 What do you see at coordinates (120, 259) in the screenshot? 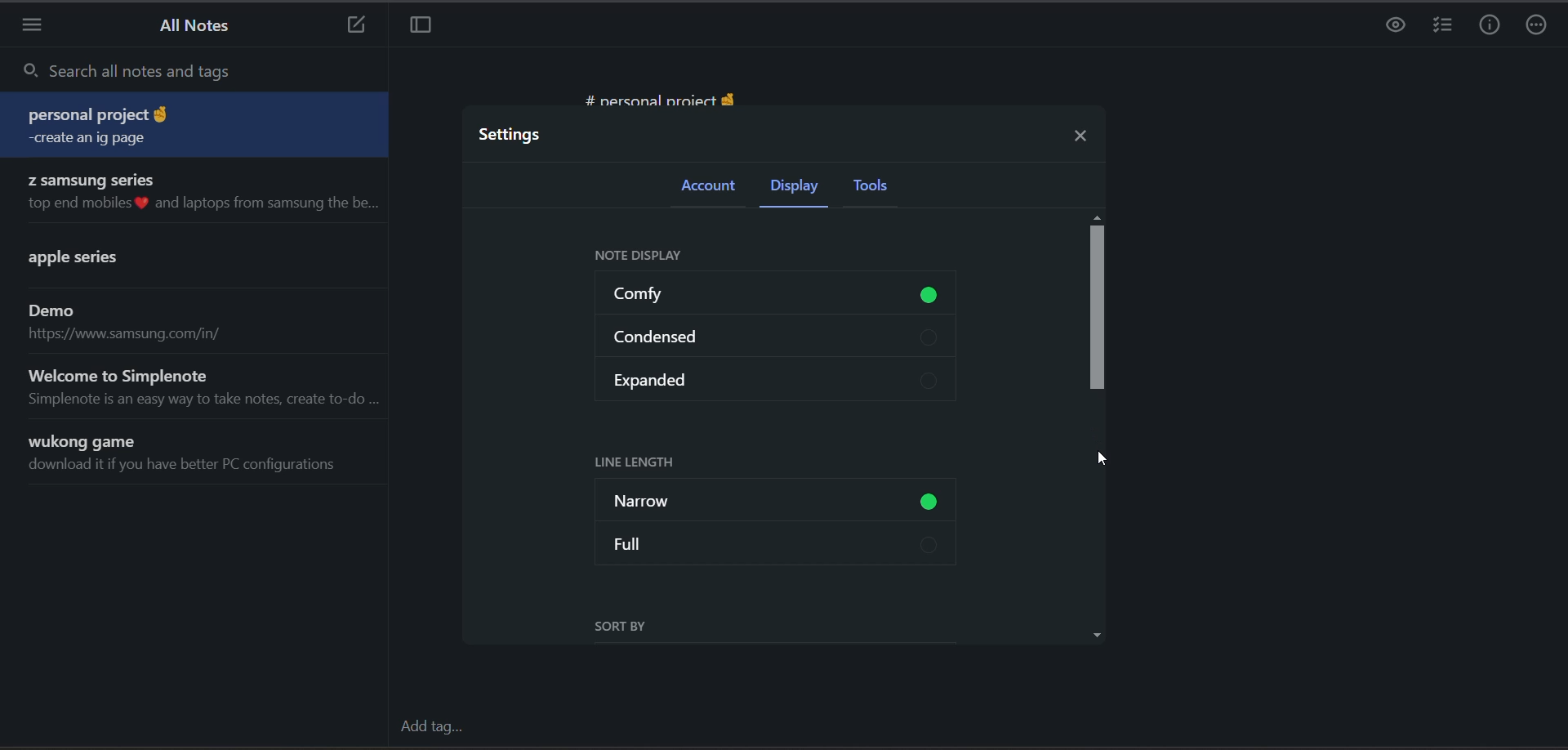
I see `note title and preview` at bounding box center [120, 259].